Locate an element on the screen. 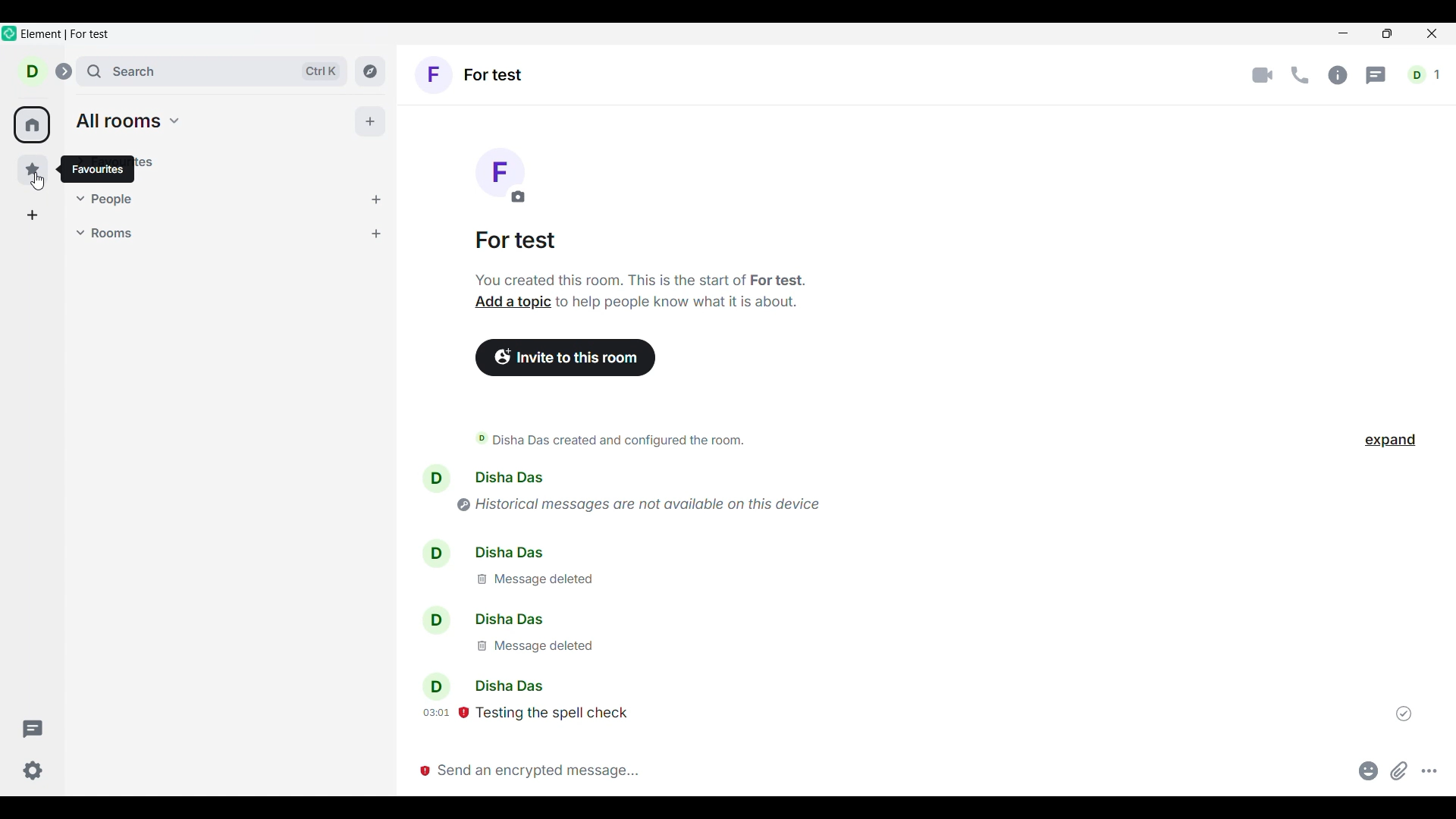  element for test is located at coordinates (67, 34).